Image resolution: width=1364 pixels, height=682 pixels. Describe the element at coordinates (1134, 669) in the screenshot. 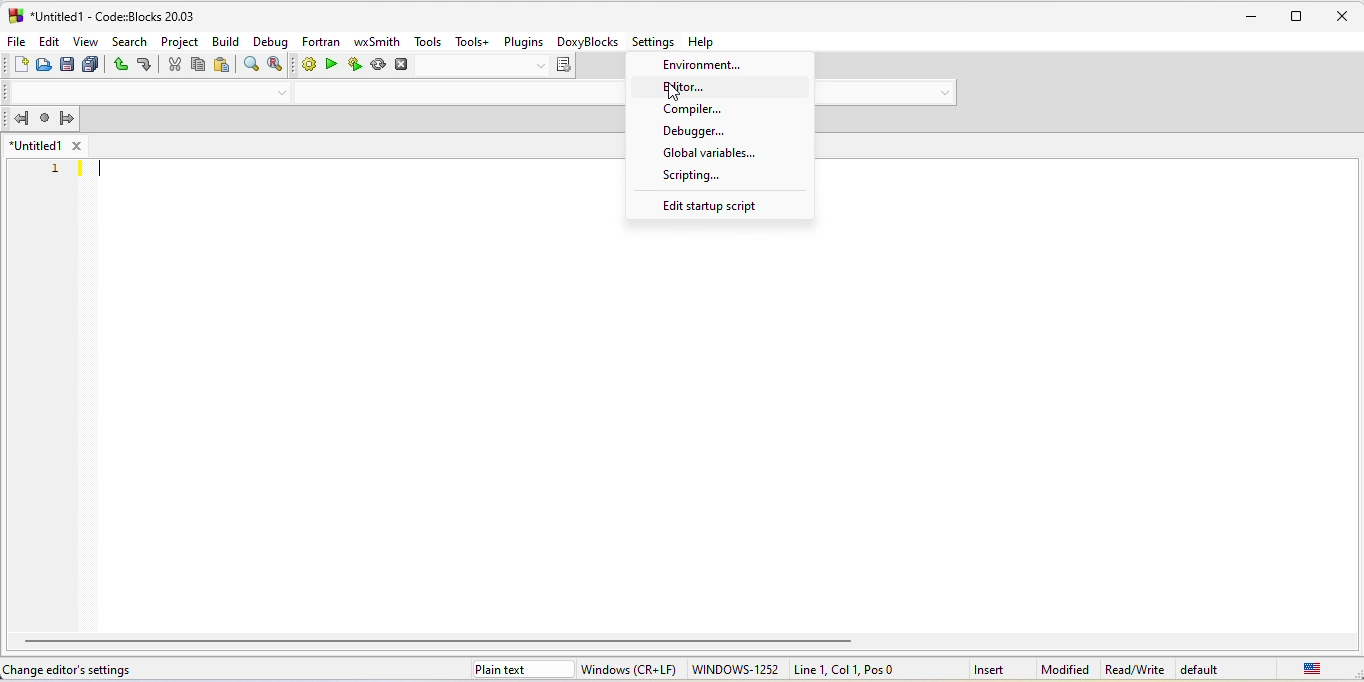

I see `Read/Write` at that location.